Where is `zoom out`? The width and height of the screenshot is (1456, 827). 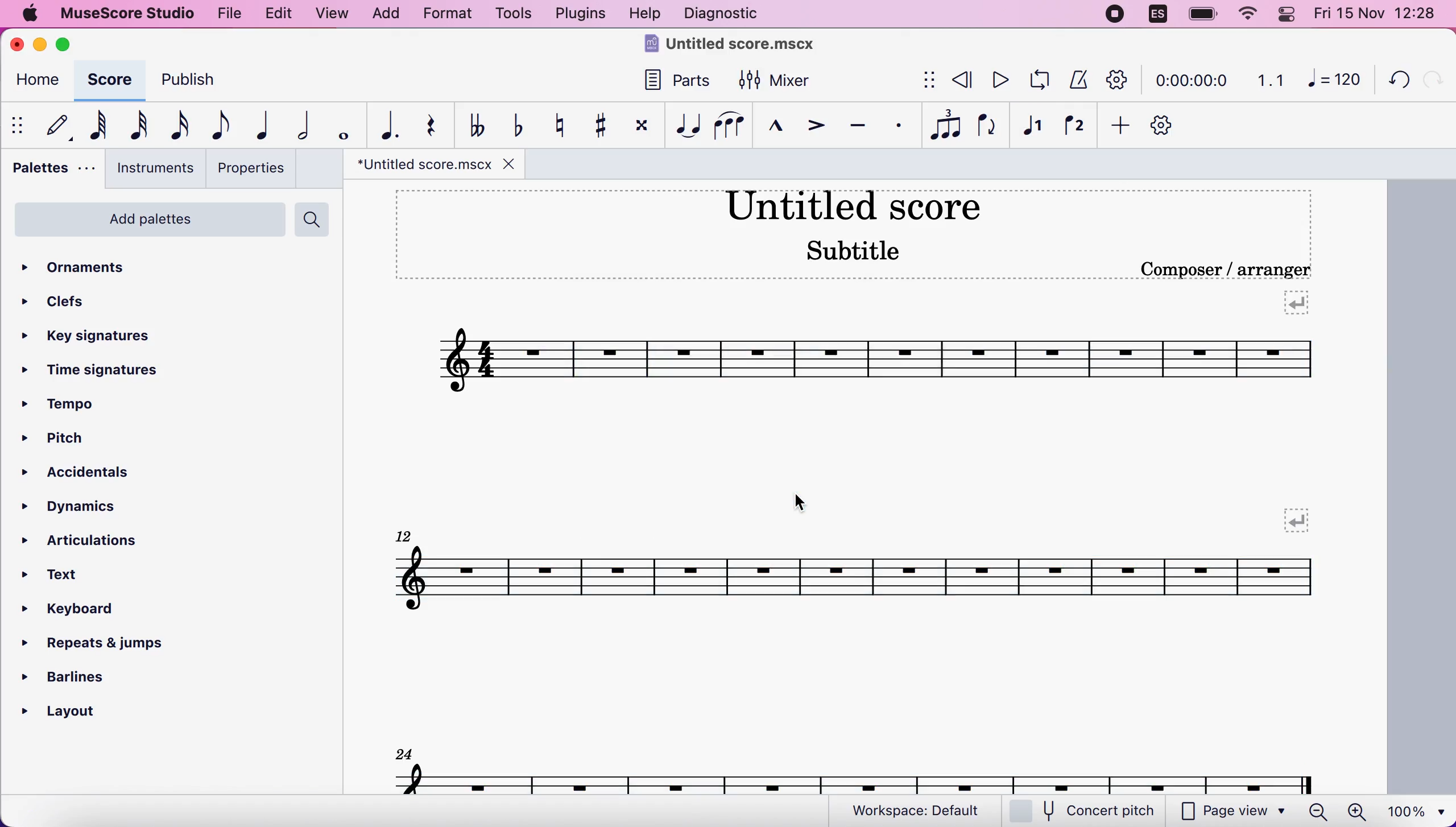 zoom out is located at coordinates (1318, 811).